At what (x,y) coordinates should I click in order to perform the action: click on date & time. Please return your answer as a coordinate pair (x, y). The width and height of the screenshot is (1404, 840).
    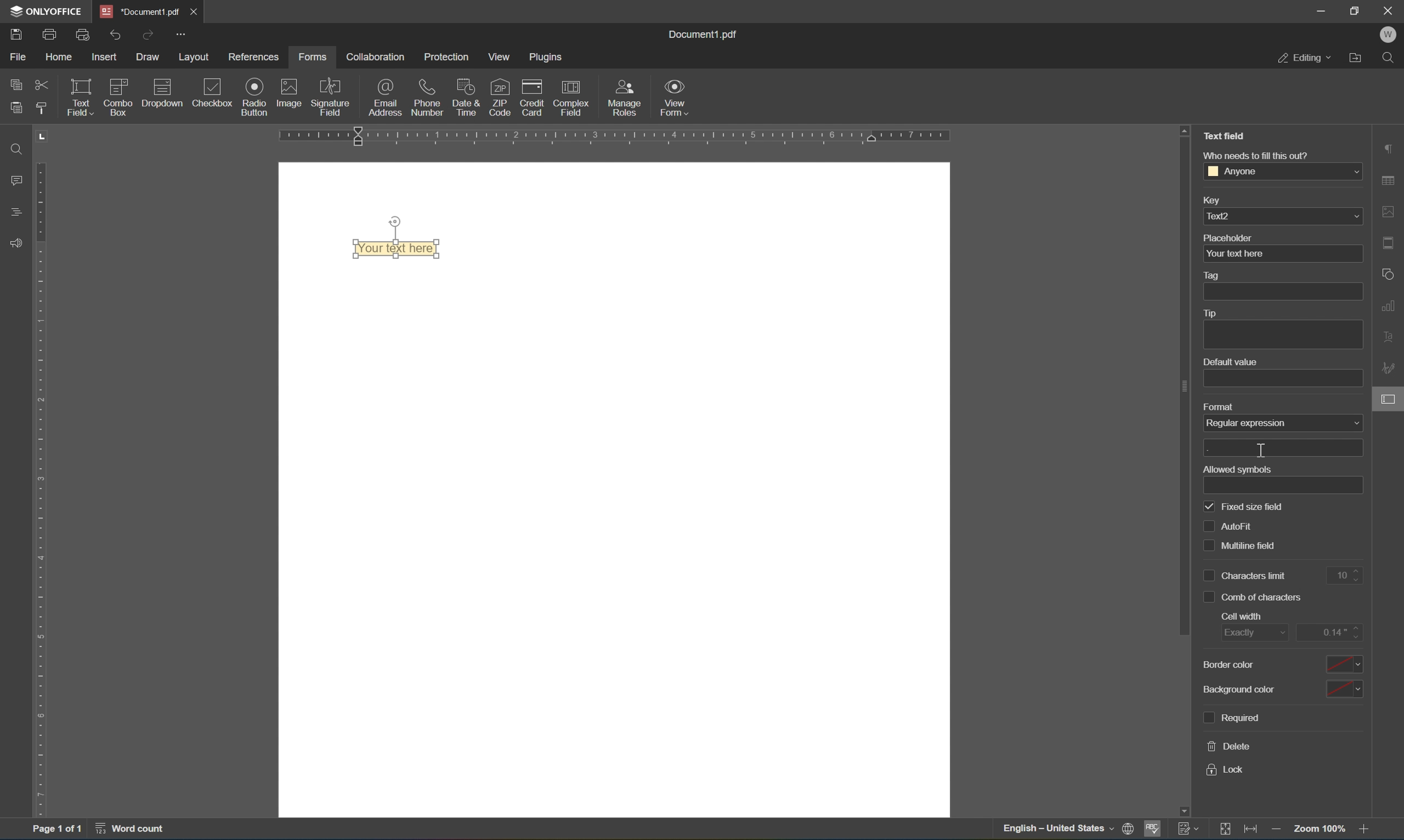
    Looking at the image, I should click on (466, 96).